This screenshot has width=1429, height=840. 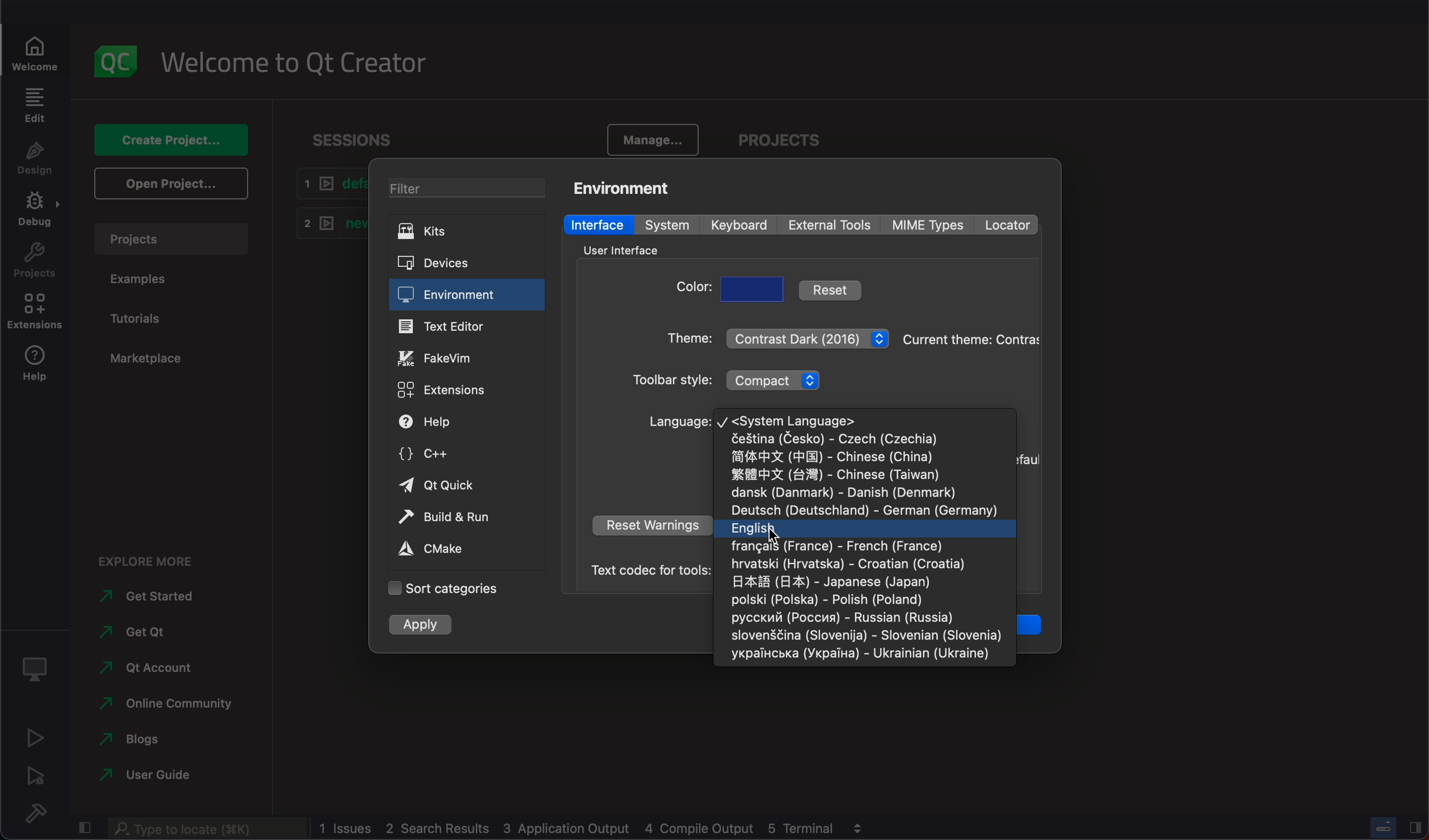 What do you see at coordinates (35, 813) in the screenshot?
I see `build` at bounding box center [35, 813].